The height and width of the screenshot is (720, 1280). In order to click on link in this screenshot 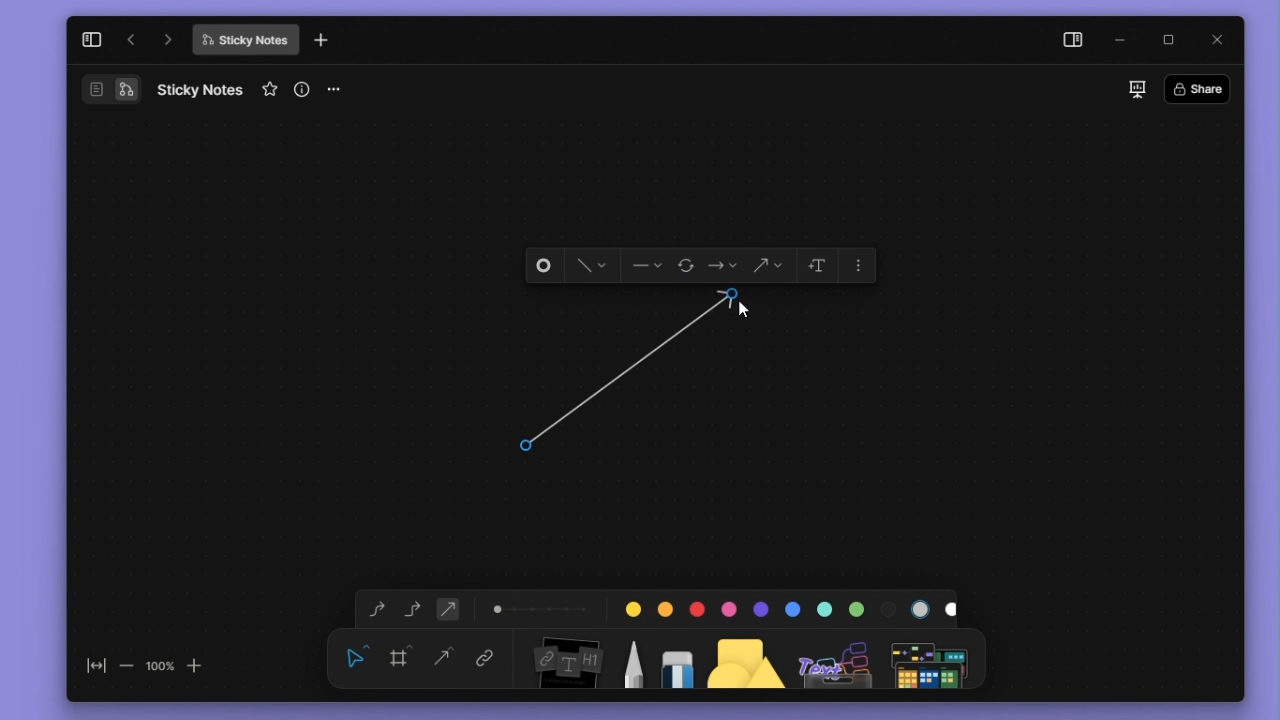, I will do `click(485, 660)`.